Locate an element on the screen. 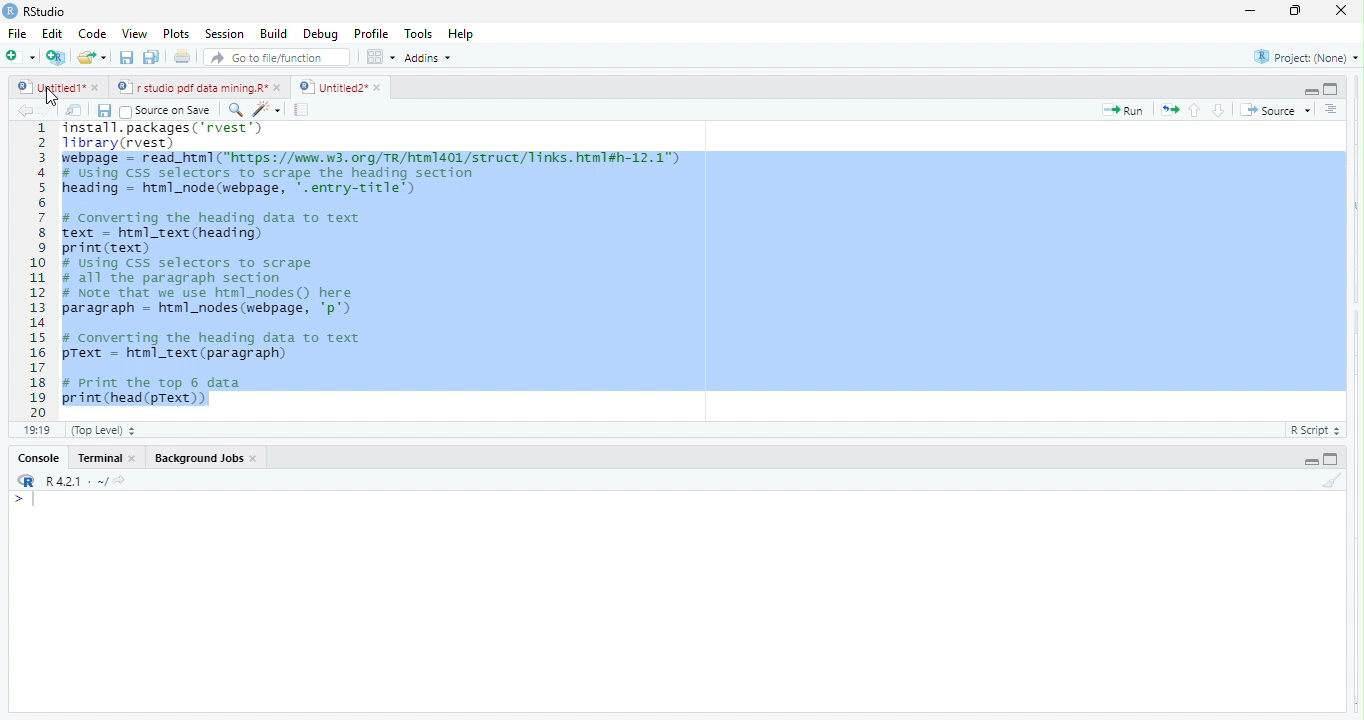 The image size is (1364, 720). new file is located at coordinates (20, 56).